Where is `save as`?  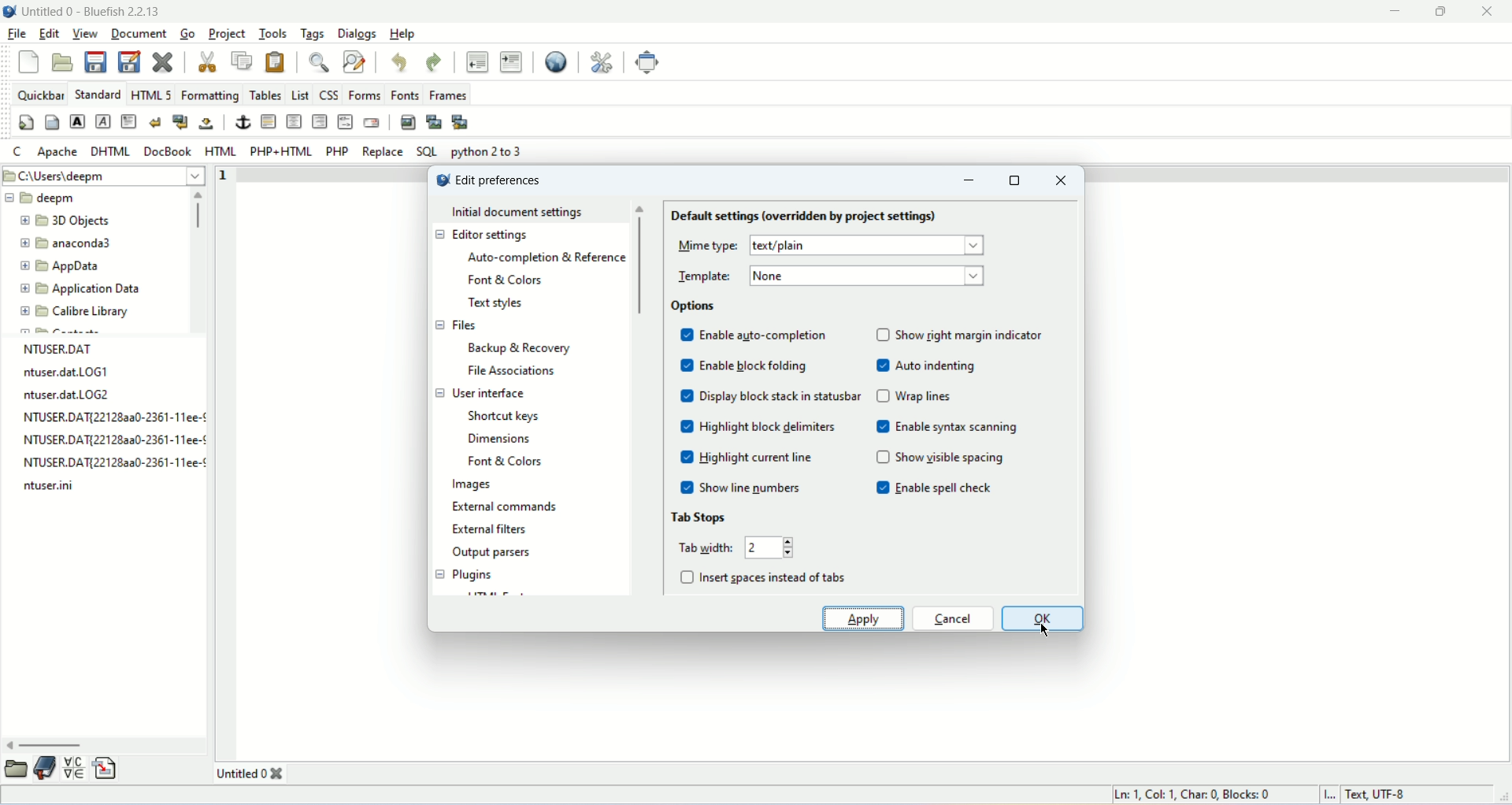
save as is located at coordinates (129, 62).